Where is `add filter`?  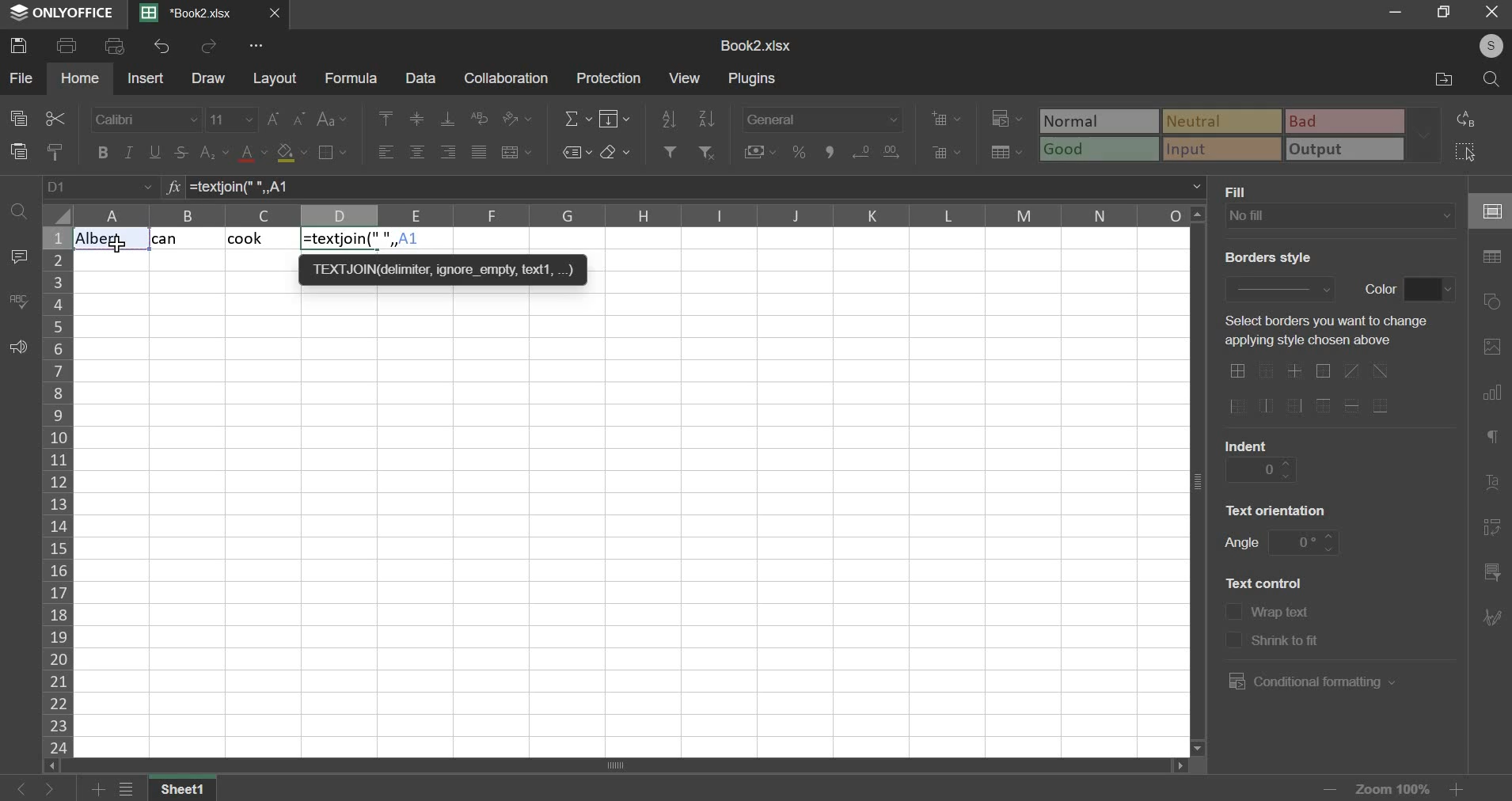
add filter is located at coordinates (668, 150).